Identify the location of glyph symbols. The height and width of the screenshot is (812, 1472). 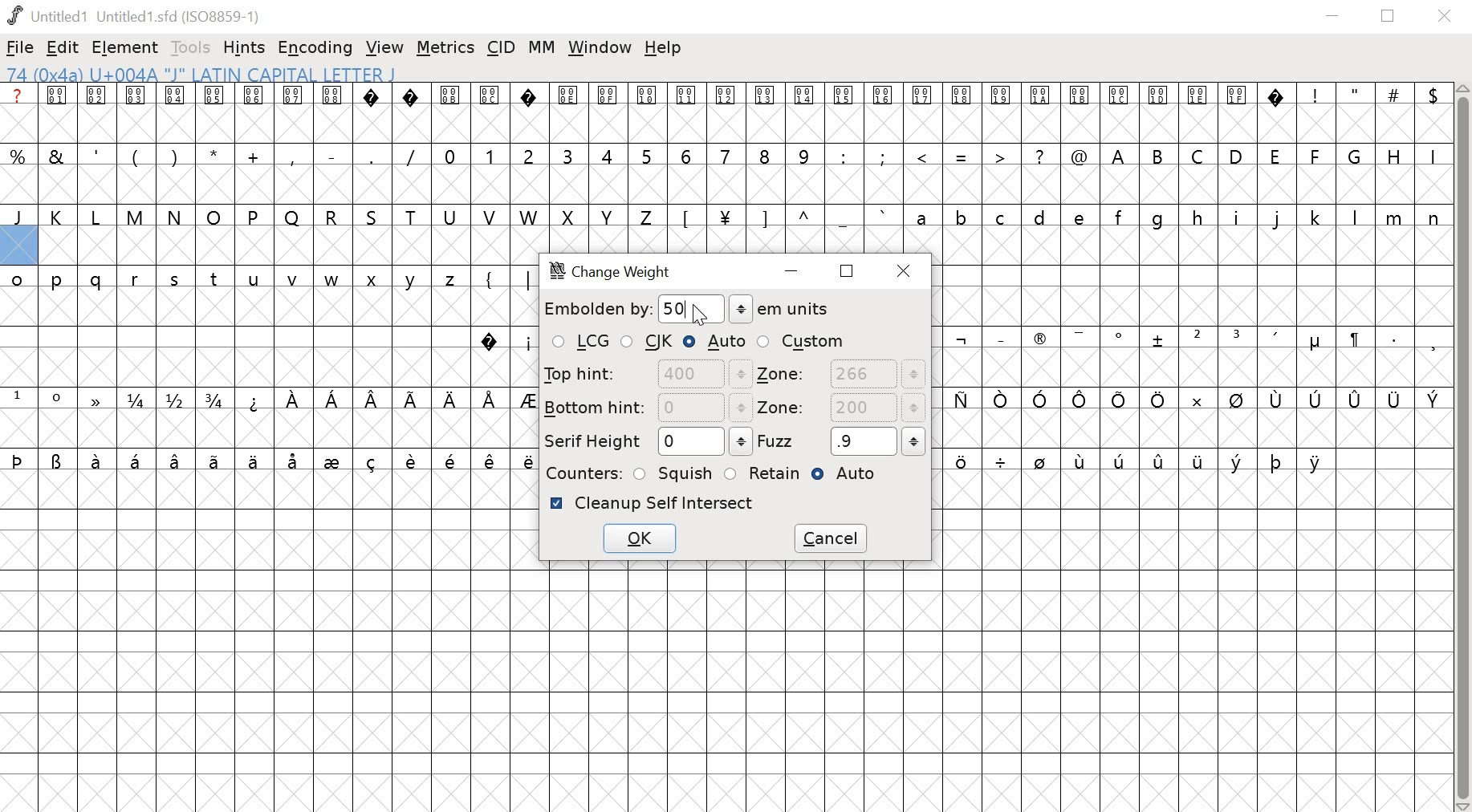
(644, 95).